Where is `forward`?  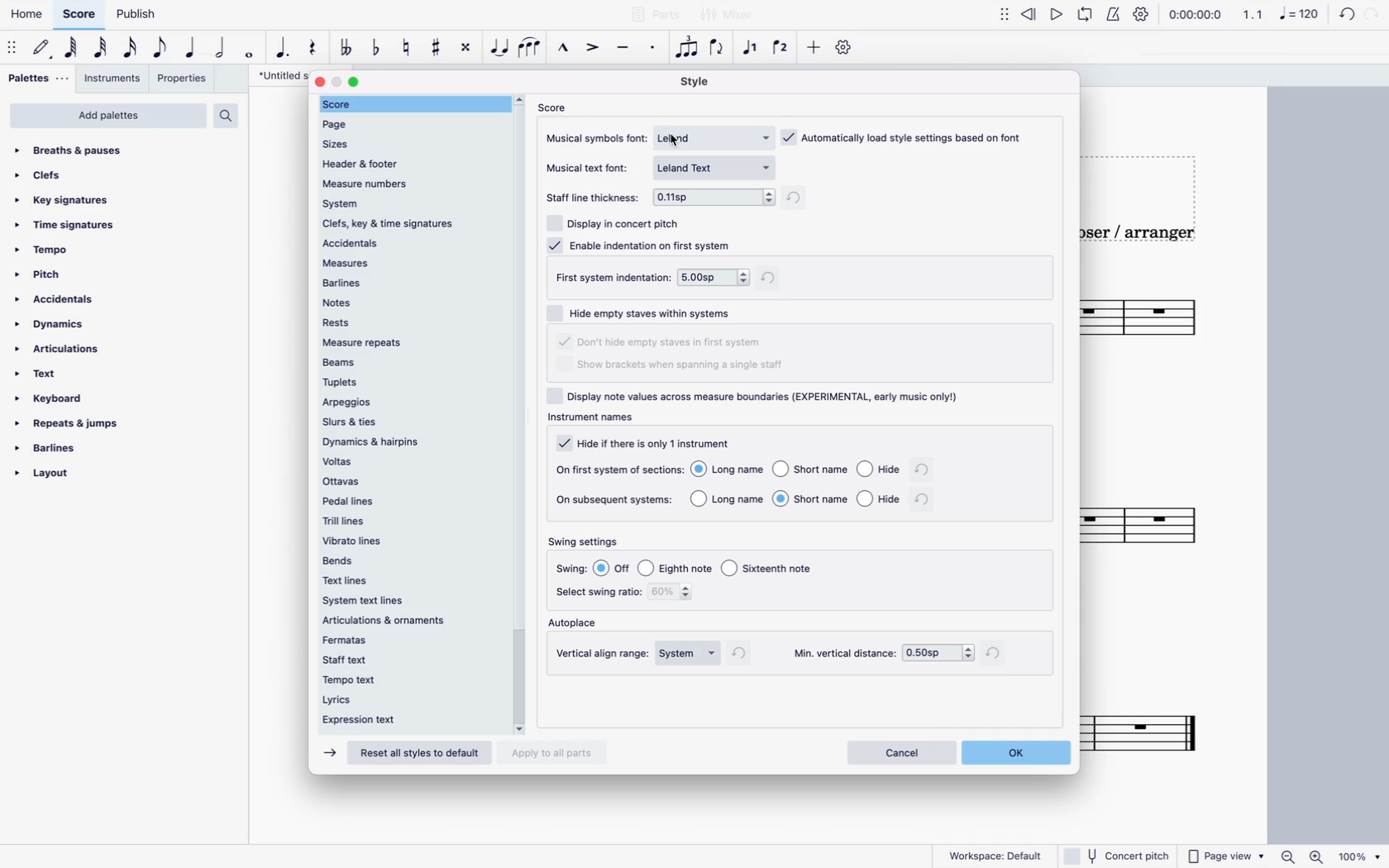 forward is located at coordinates (1060, 11).